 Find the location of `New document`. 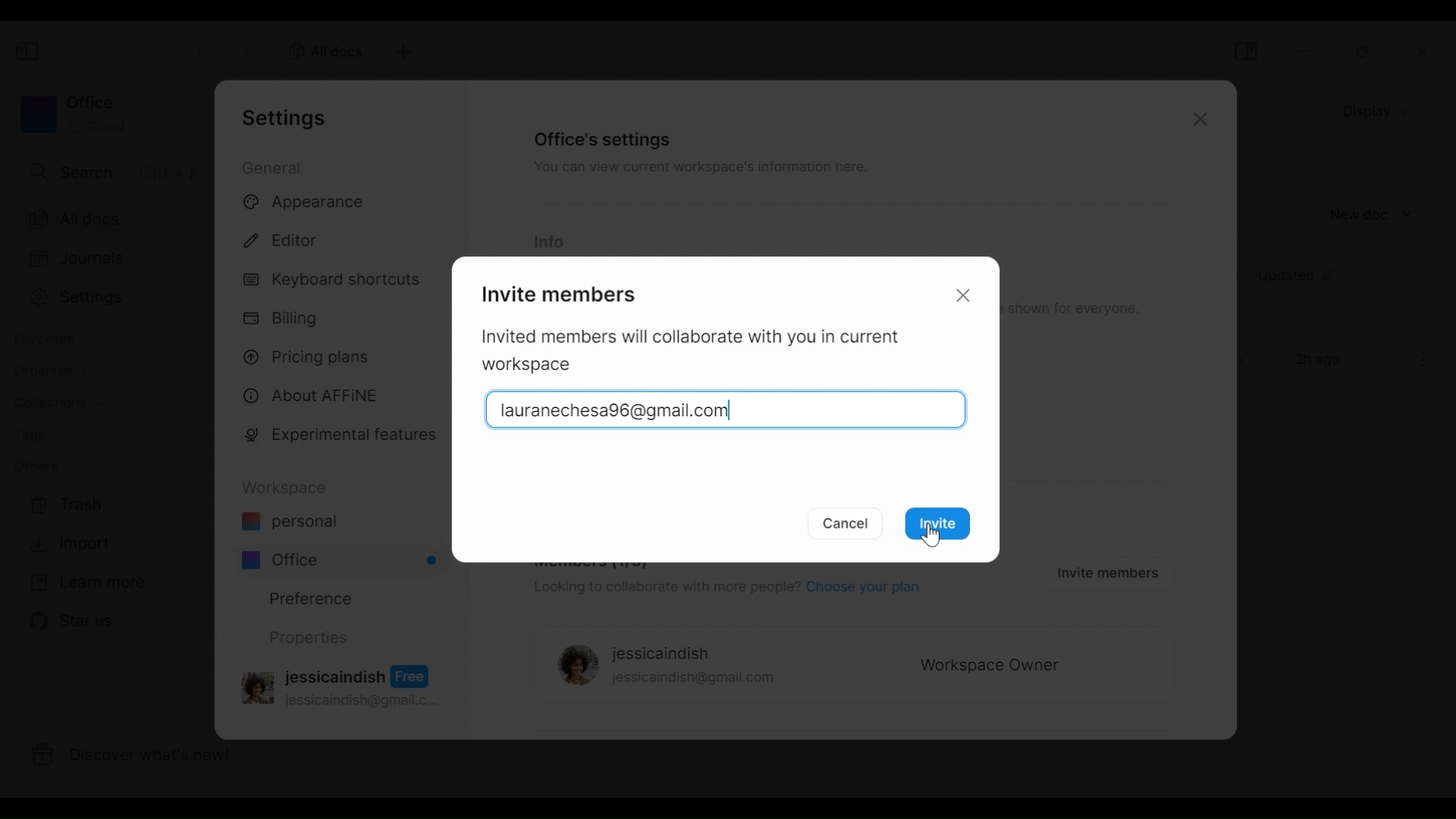

New document is located at coordinates (1372, 215).